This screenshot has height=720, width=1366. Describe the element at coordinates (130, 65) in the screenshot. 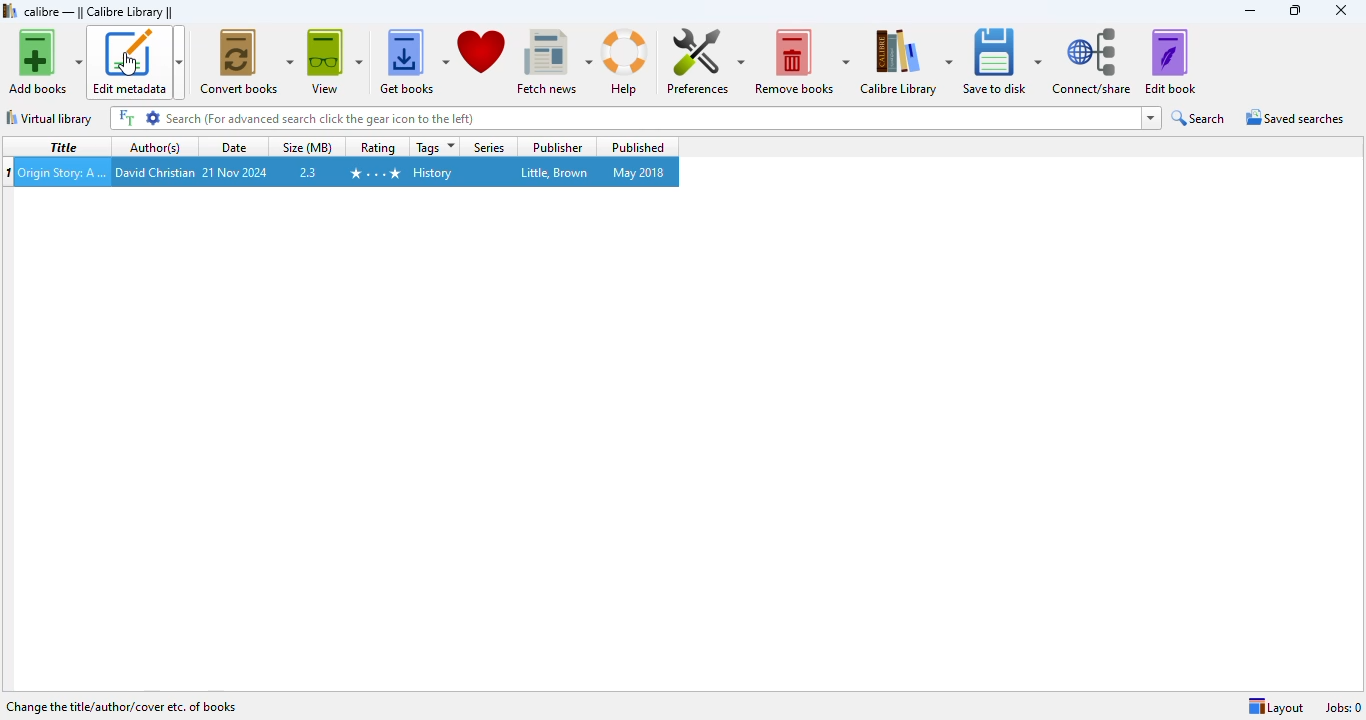

I see `cursor` at that location.